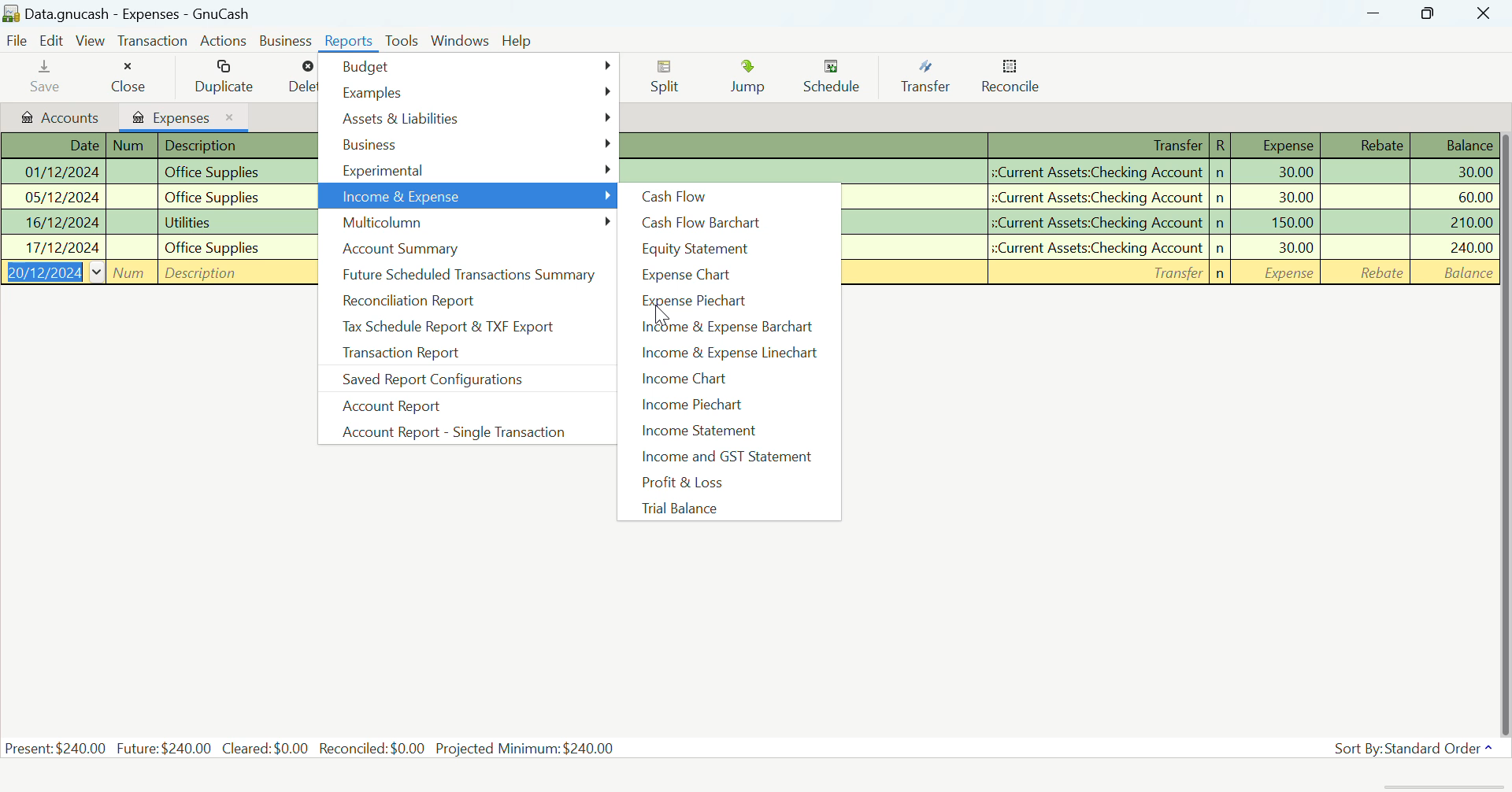 The width and height of the screenshot is (1512, 792). I want to click on Cash Flow Barchart, so click(726, 224).